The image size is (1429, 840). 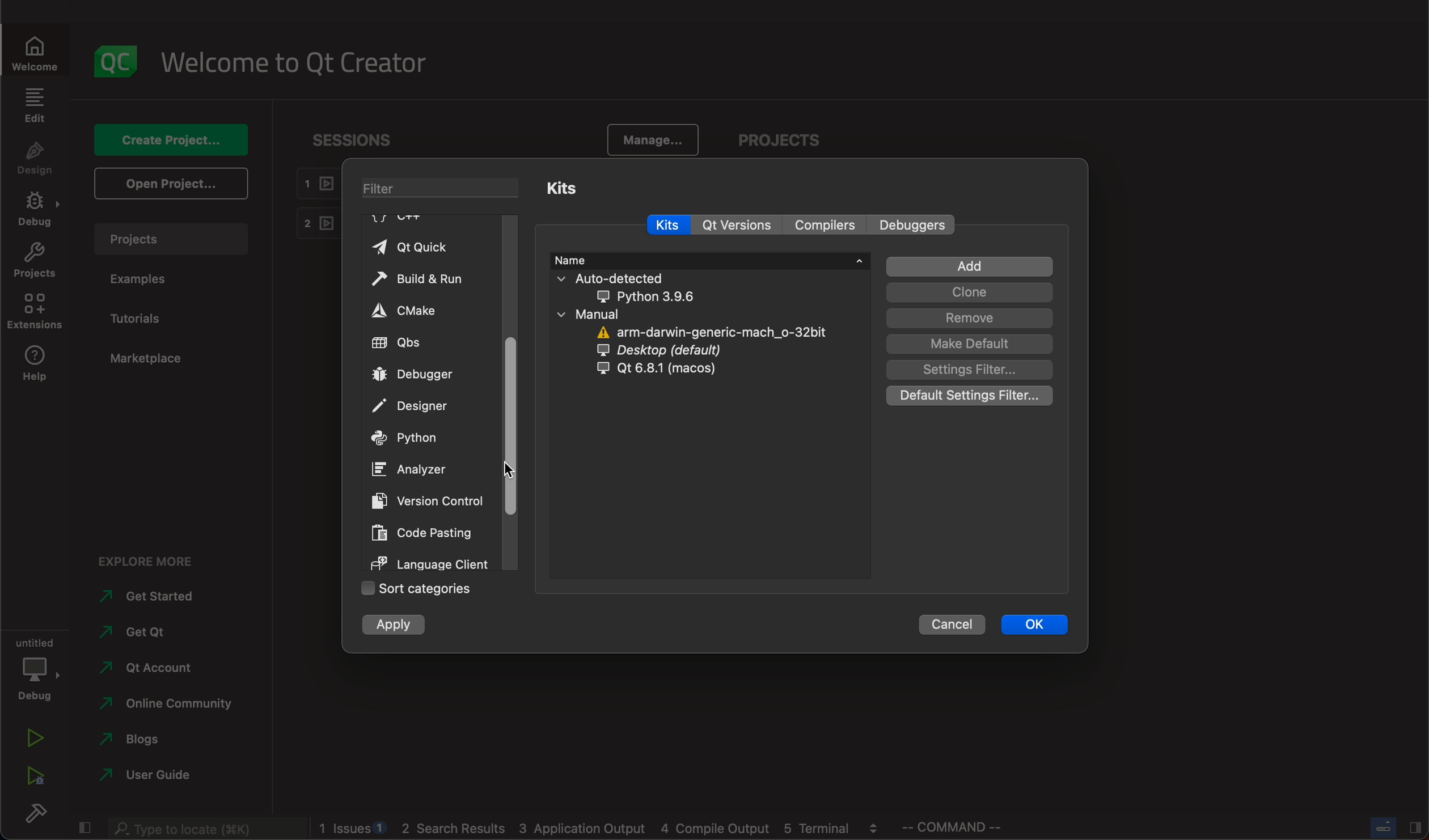 What do you see at coordinates (36, 210) in the screenshot?
I see `debug` at bounding box center [36, 210].